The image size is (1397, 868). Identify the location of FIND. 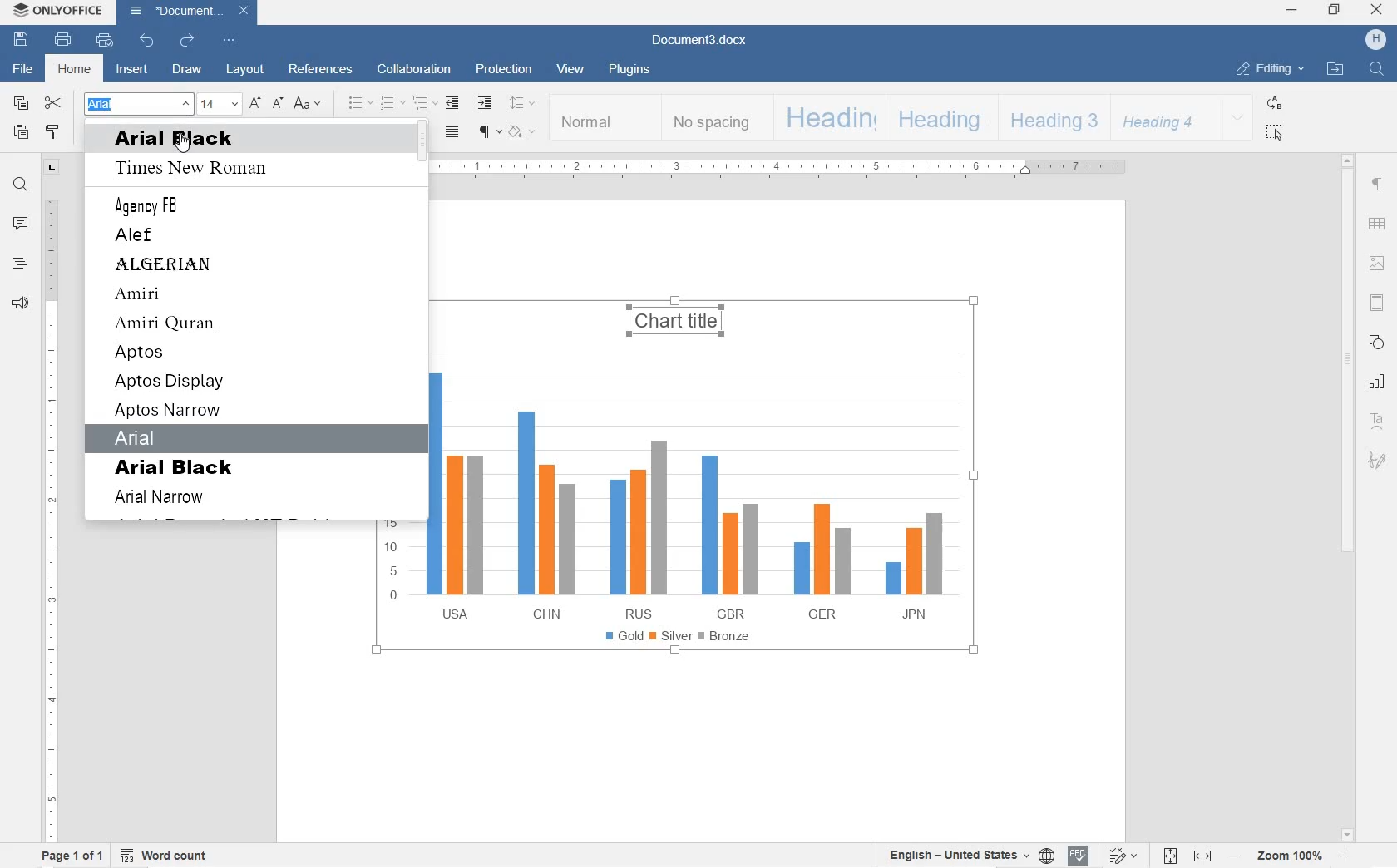
(1376, 68).